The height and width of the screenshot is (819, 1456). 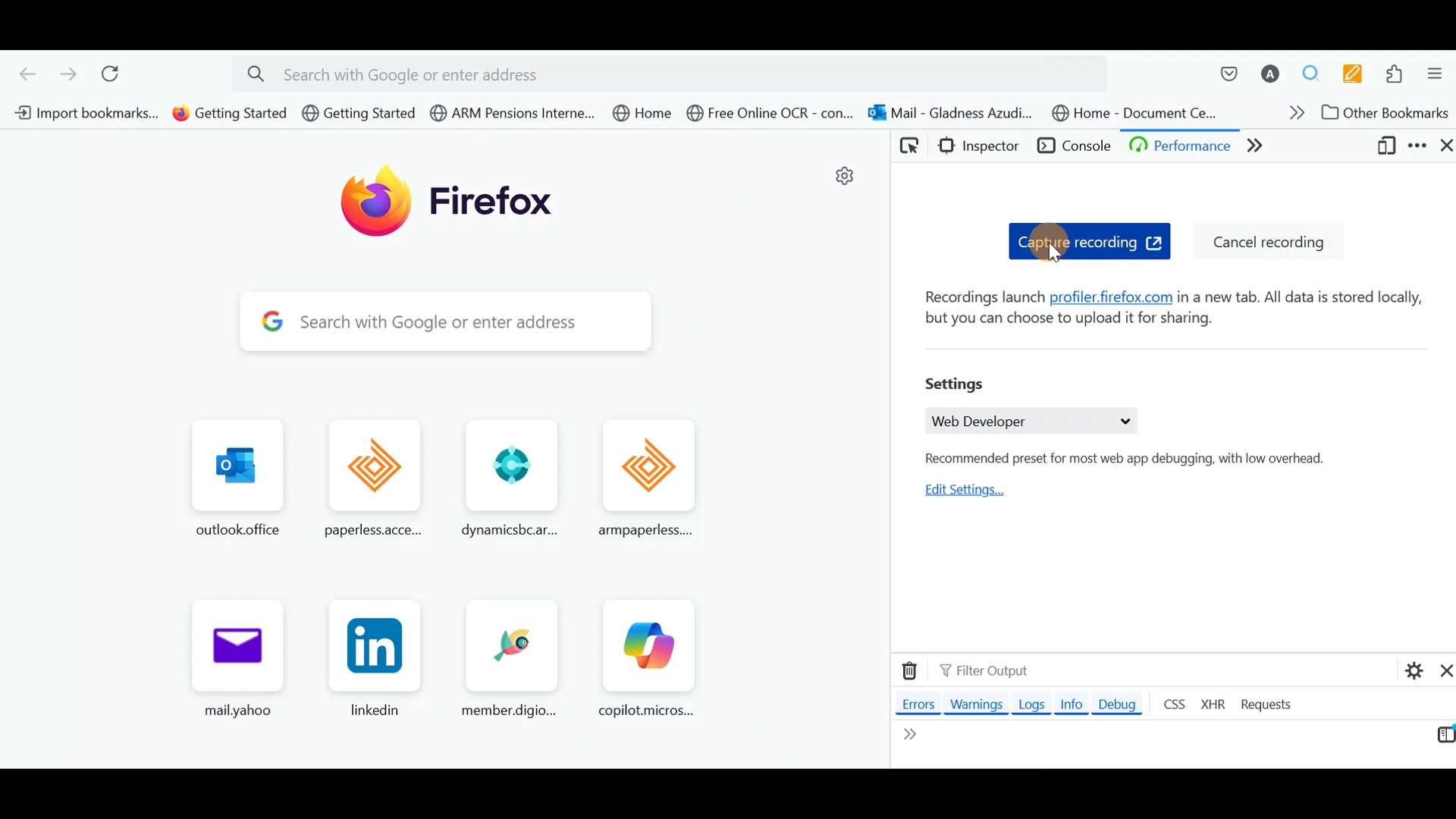 I want to click on Capture recording, so click(x=1088, y=242).